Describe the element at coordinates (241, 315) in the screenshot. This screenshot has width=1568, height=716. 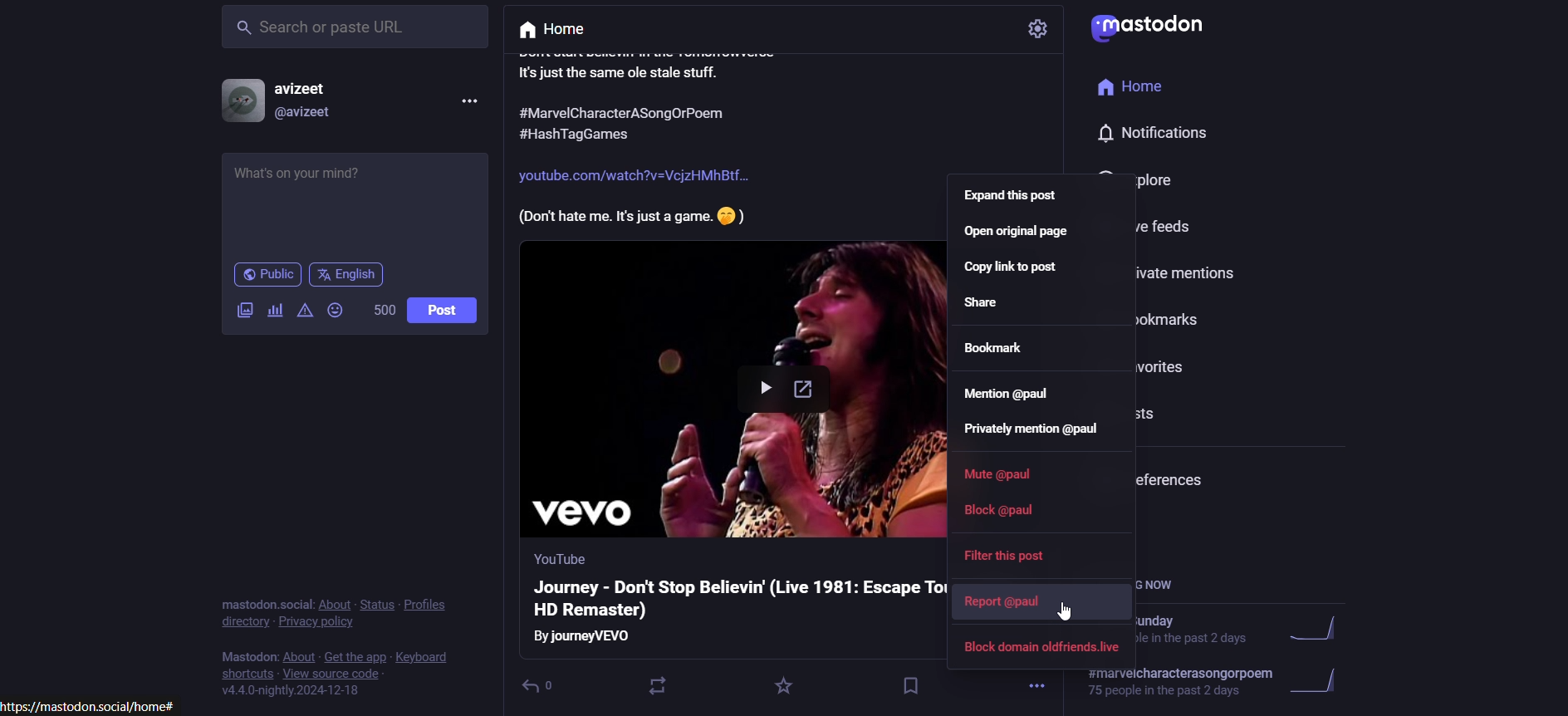
I see `add imgae` at that location.